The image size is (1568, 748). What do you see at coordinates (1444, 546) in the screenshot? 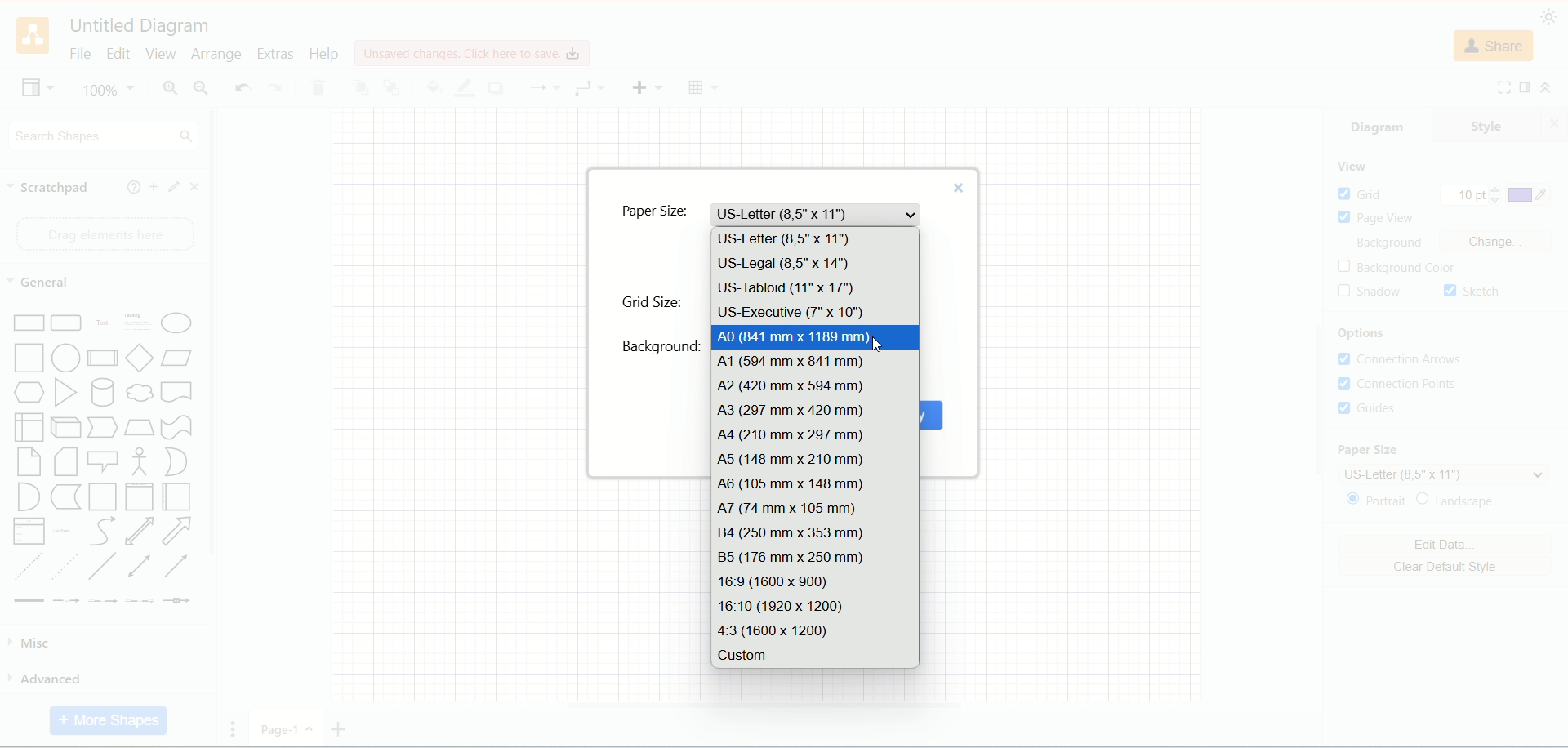
I see `edit data` at bounding box center [1444, 546].